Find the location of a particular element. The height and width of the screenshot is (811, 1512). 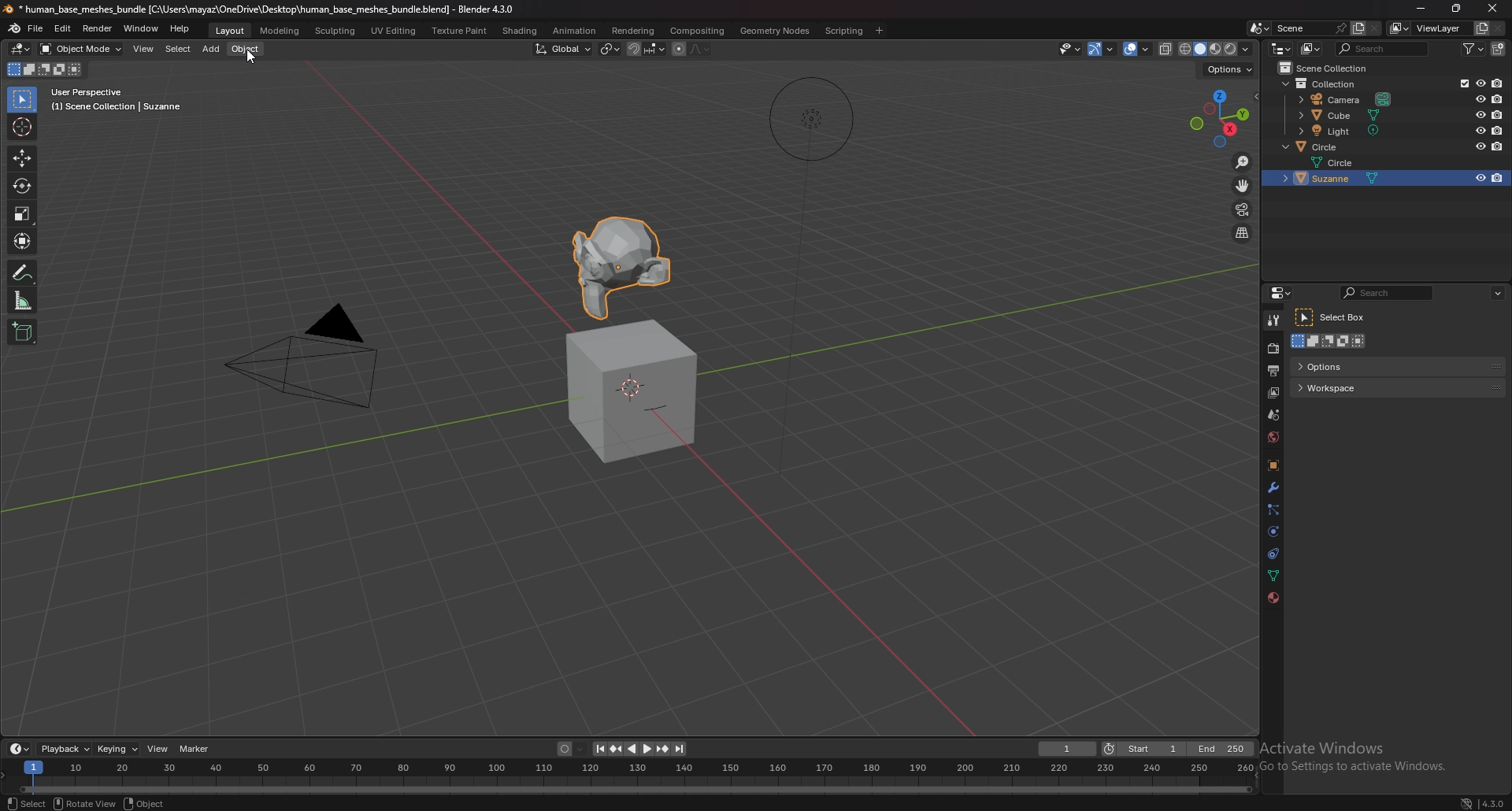

material is located at coordinates (1271, 599).